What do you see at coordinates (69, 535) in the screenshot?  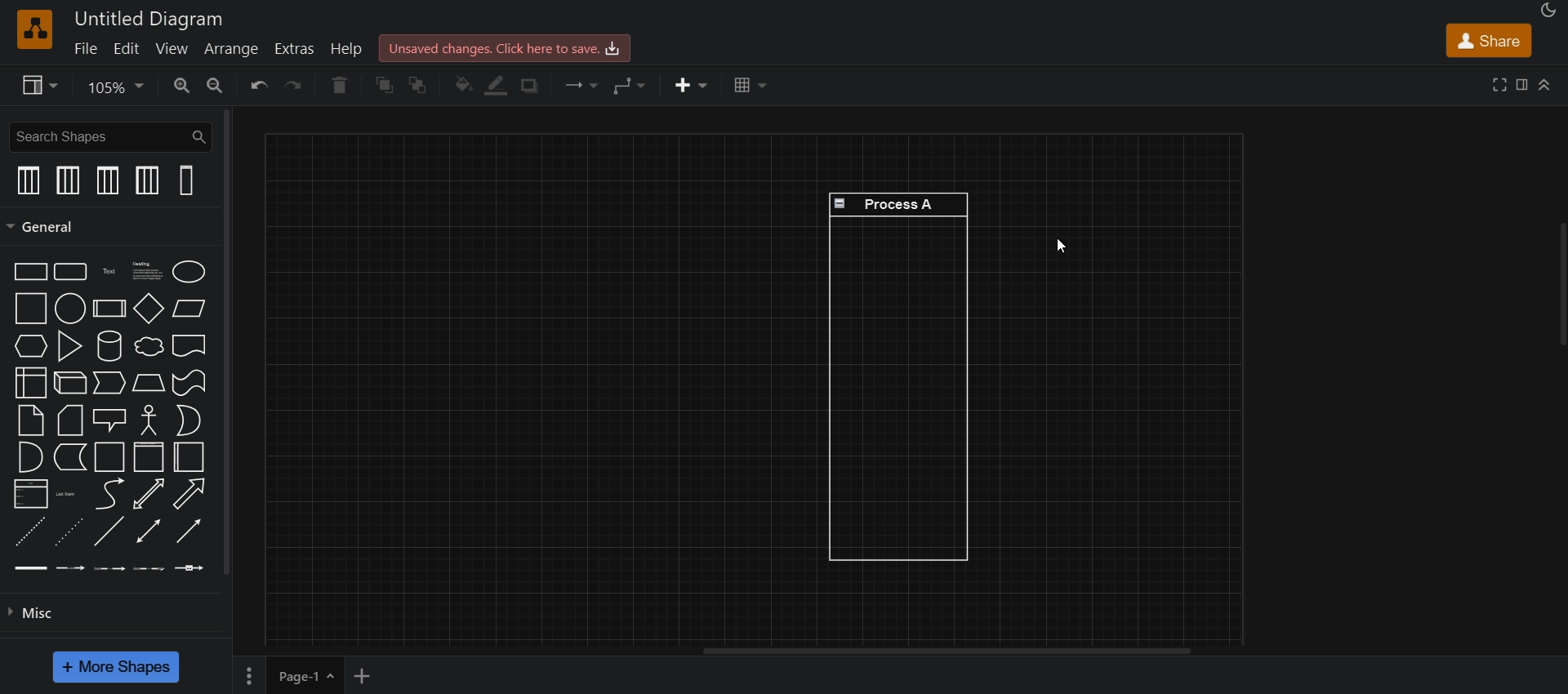 I see `dotted line` at bounding box center [69, 535].